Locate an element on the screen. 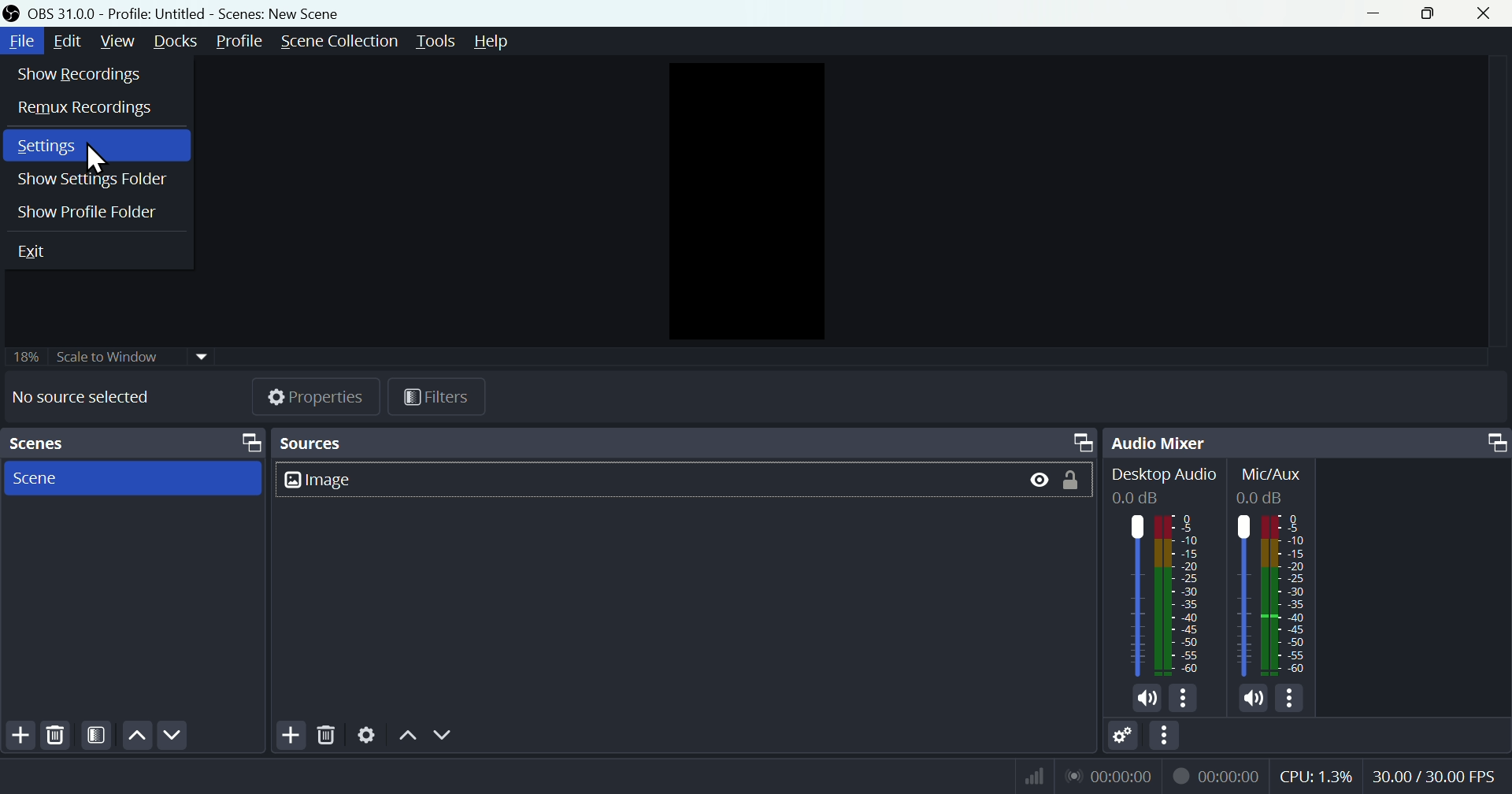 Image resolution: width=1512 pixels, height=794 pixels. cursor on settings is located at coordinates (107, 159).